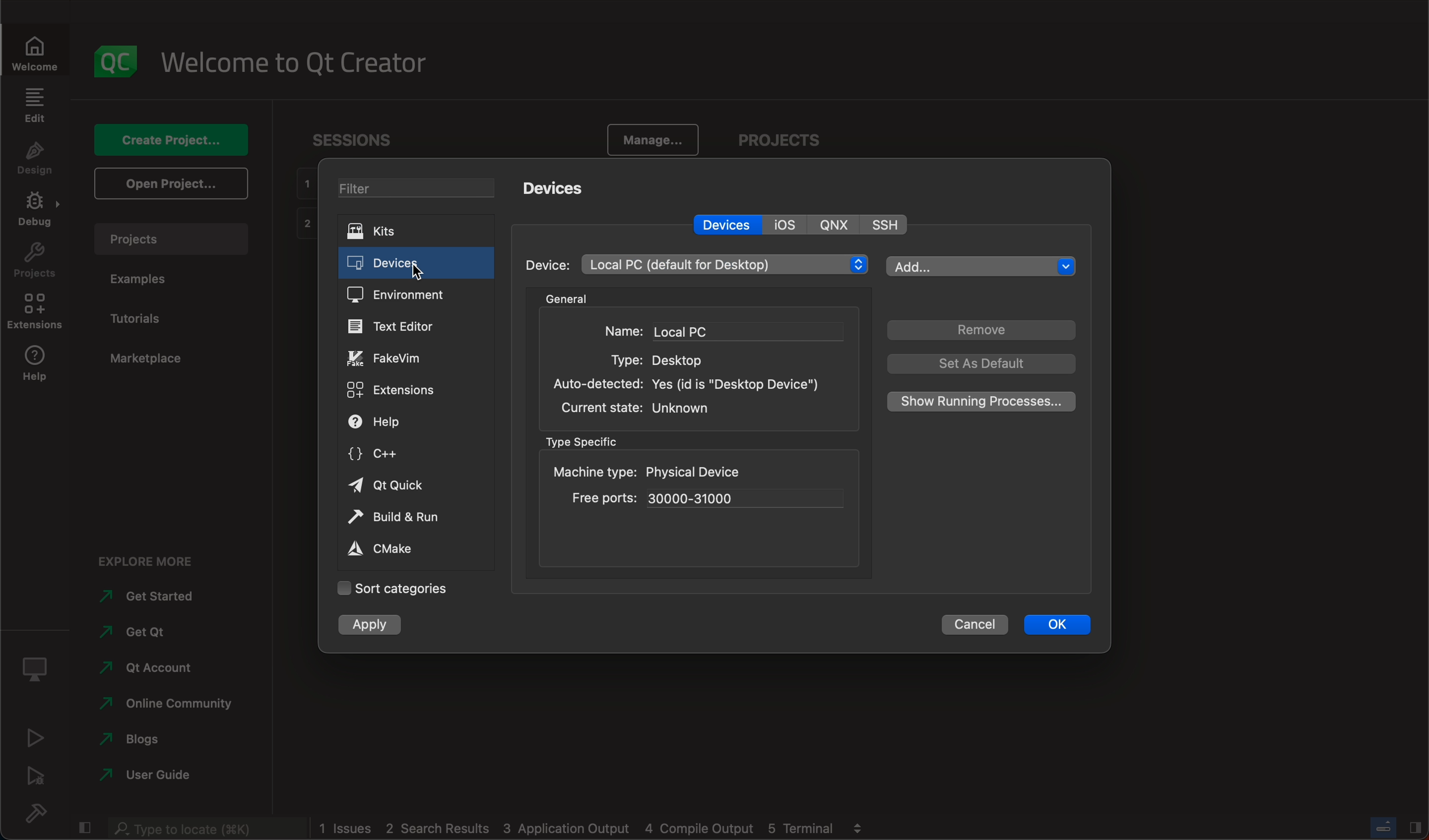 The width and height of the screenshot is (1429, 840). Describe the element at coordinates (39, 366) in the screenshot. I see `help` at that location.